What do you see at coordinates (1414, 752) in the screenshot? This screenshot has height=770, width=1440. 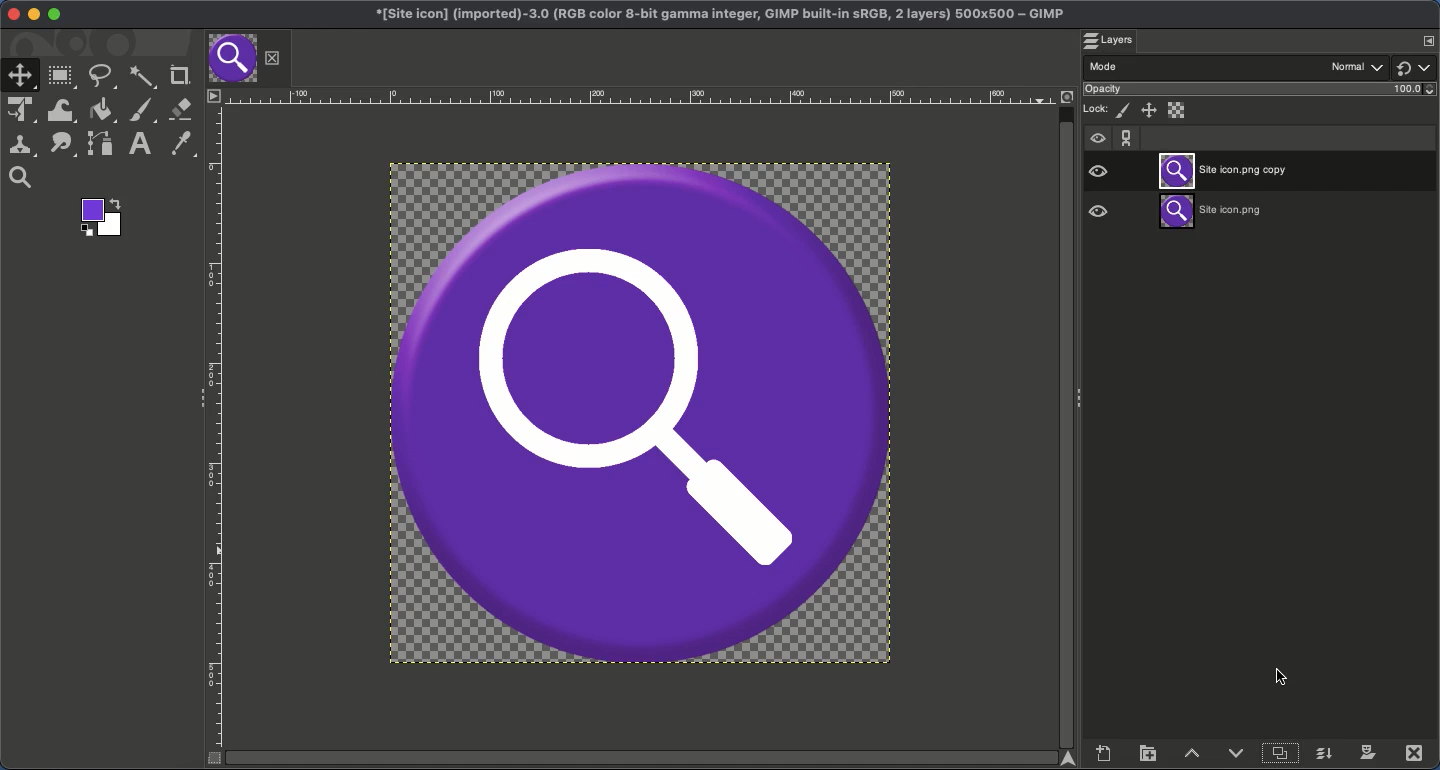 I see `Delete this layer` at bounding box center [1414, 752].